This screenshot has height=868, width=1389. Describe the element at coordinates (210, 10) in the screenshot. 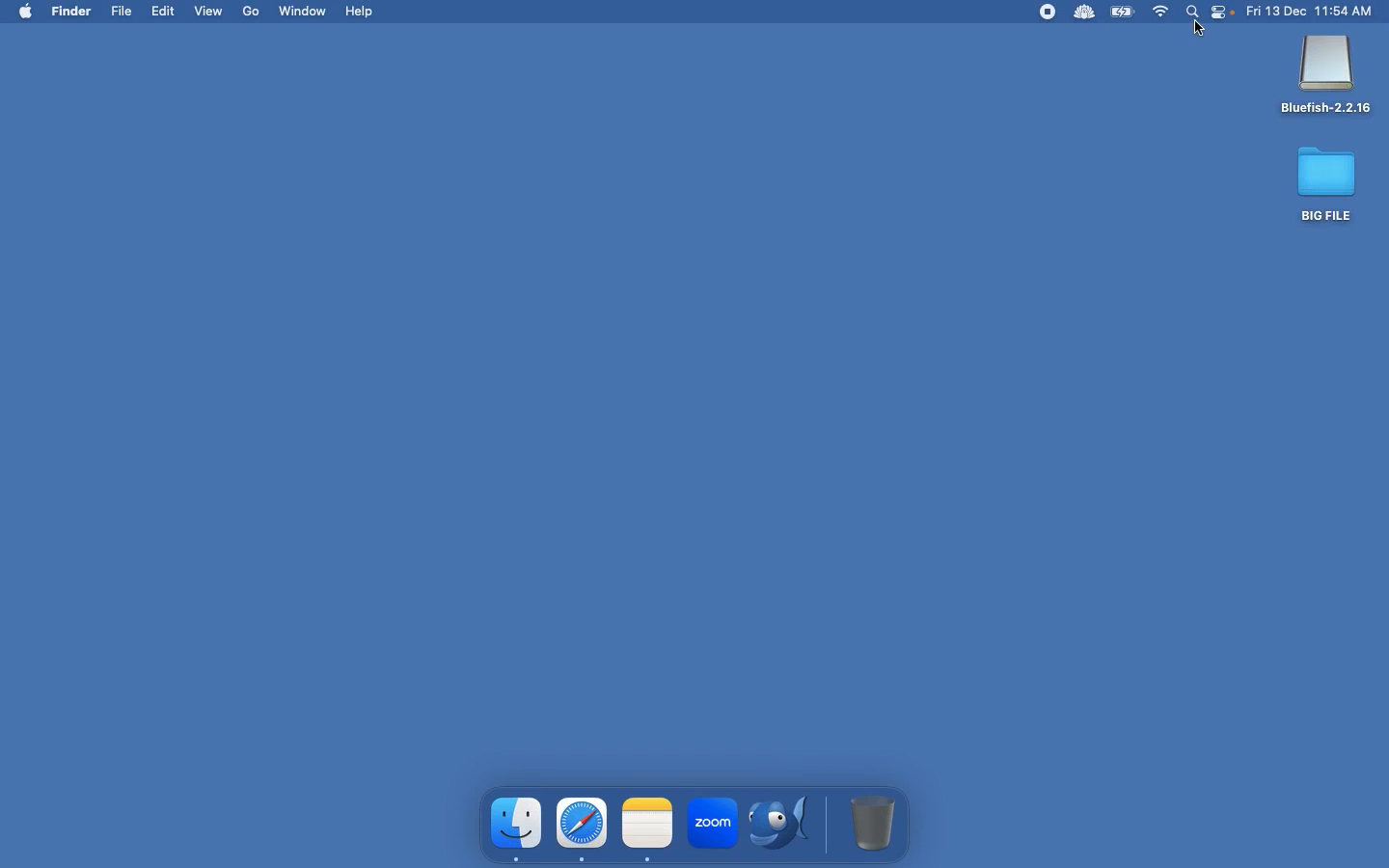

I see `View` at that location.